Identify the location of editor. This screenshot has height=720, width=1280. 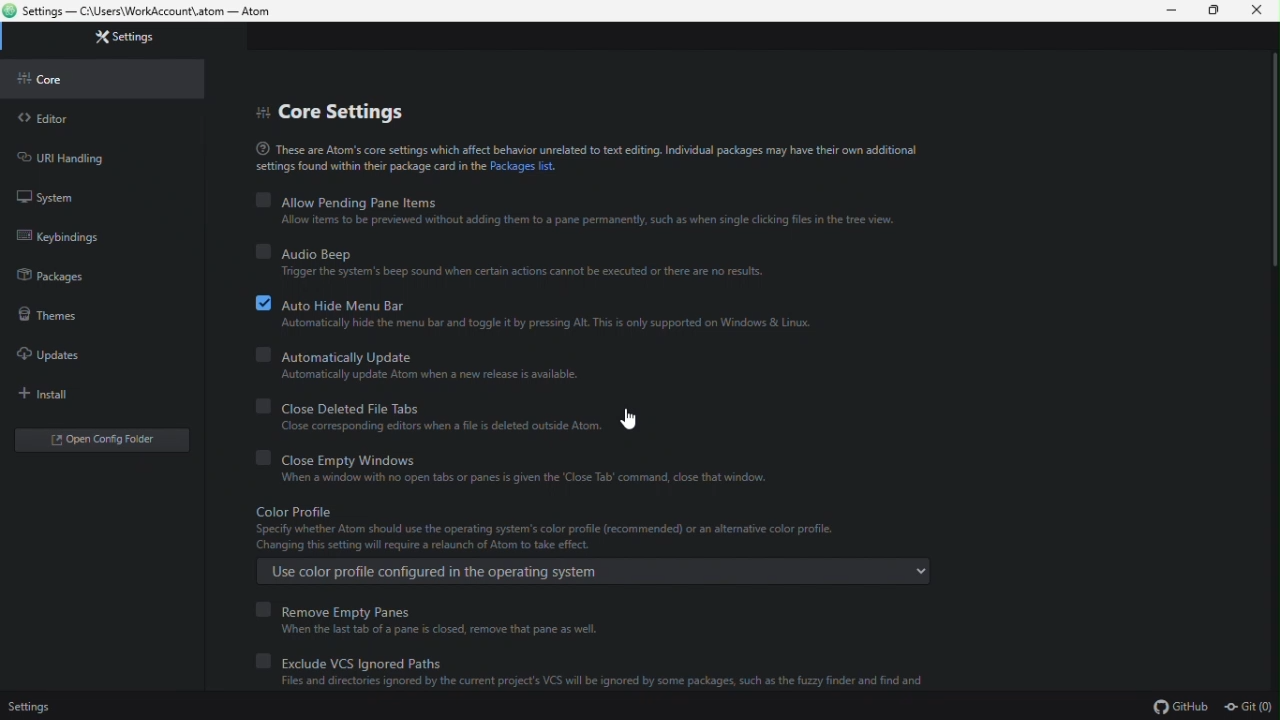
(102, 115).